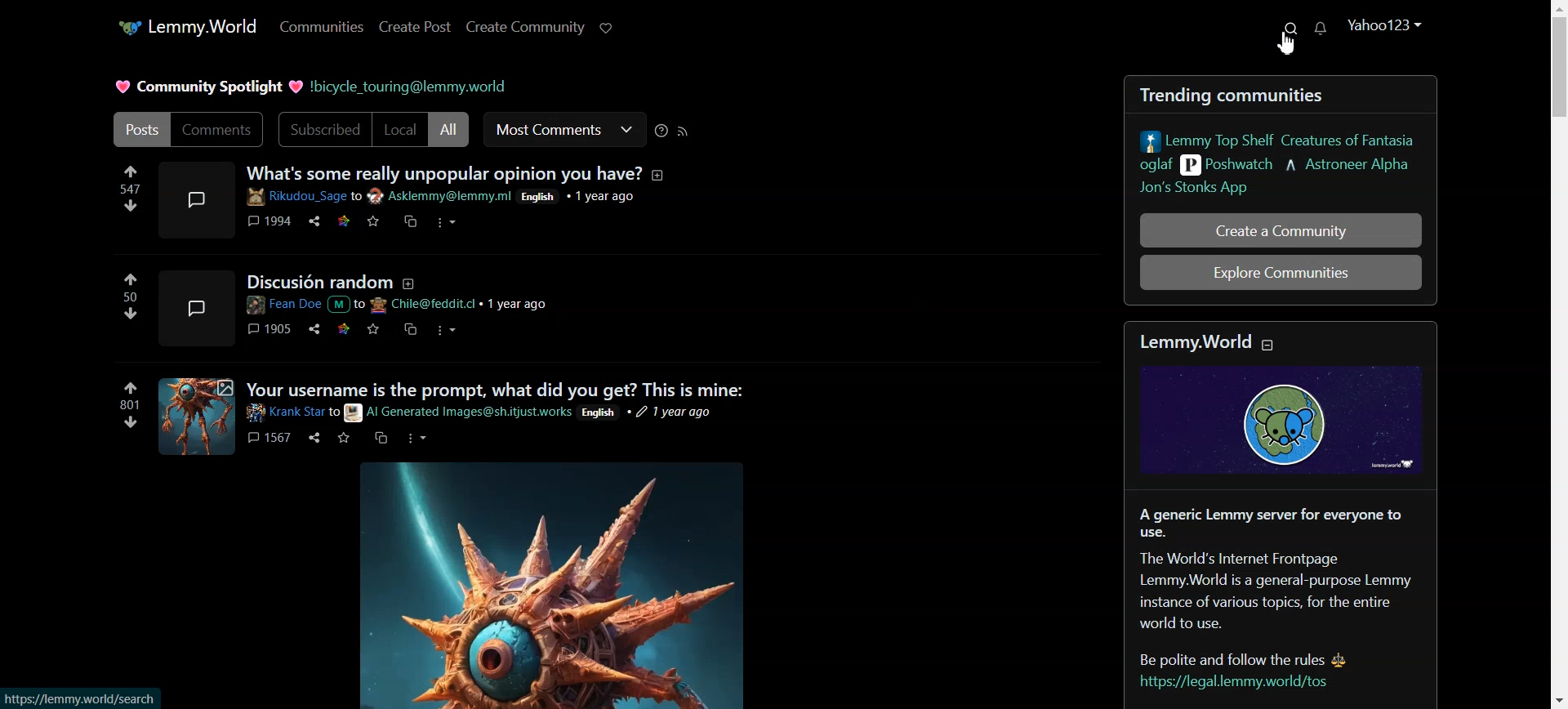  I want to click on 50, so click(126, 297).